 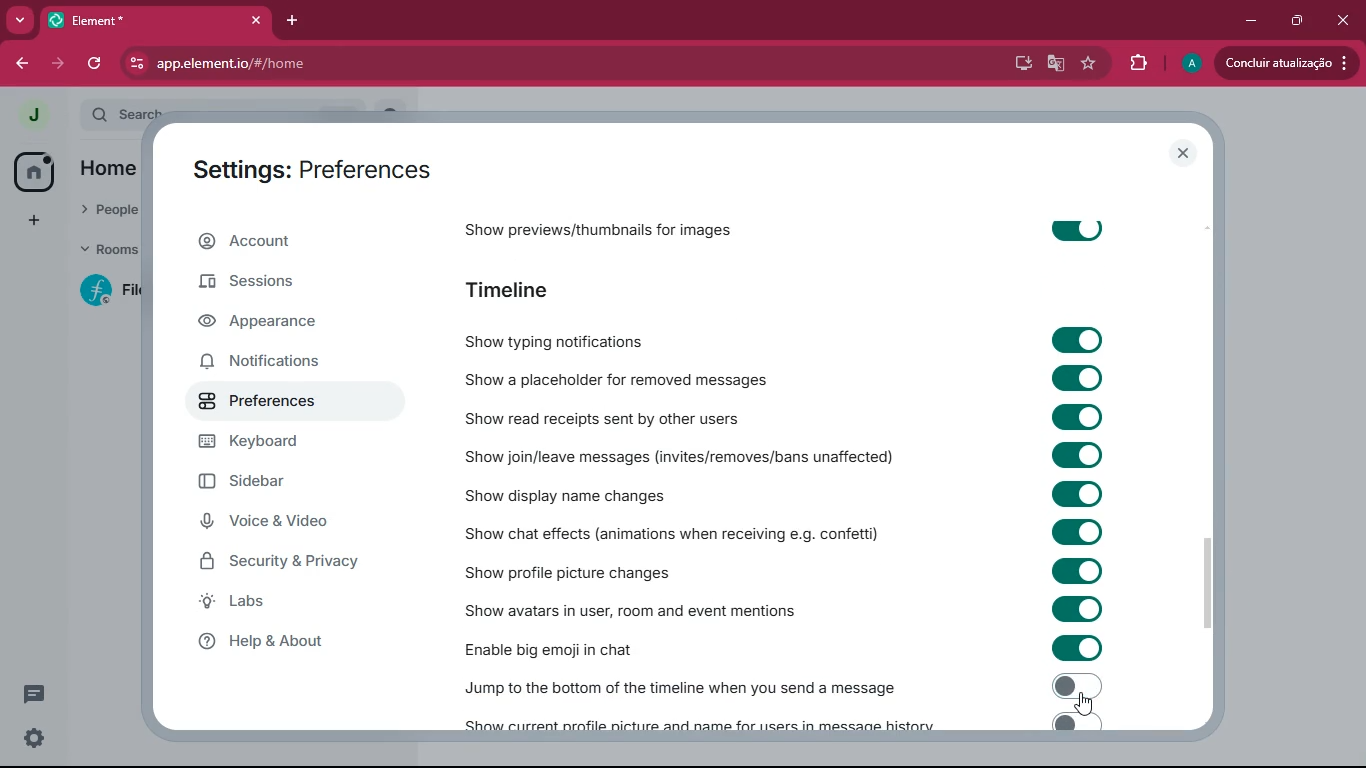 What do you see at coordinates (523, 292) in the screenshot?
I see `timeline` at bounding box center [523, 292].